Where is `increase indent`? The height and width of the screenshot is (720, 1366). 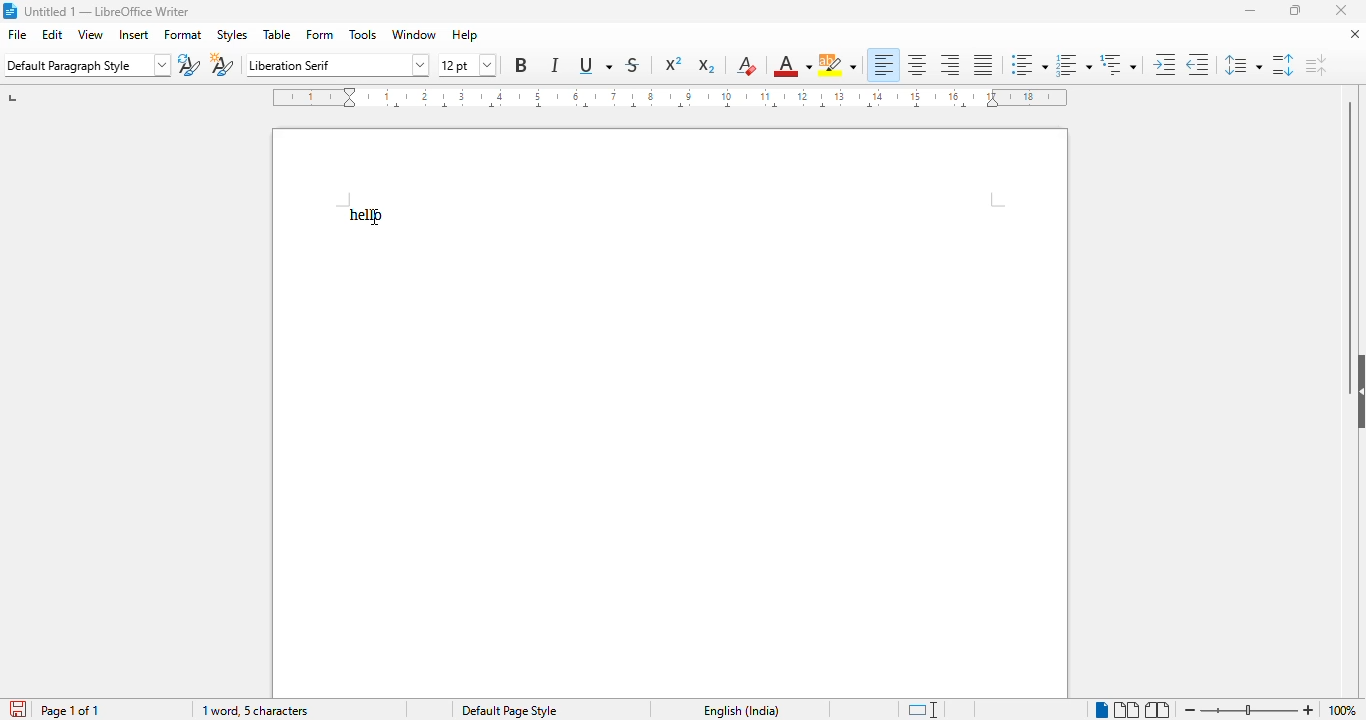
increase indent is located at coordinates (1163, 64).